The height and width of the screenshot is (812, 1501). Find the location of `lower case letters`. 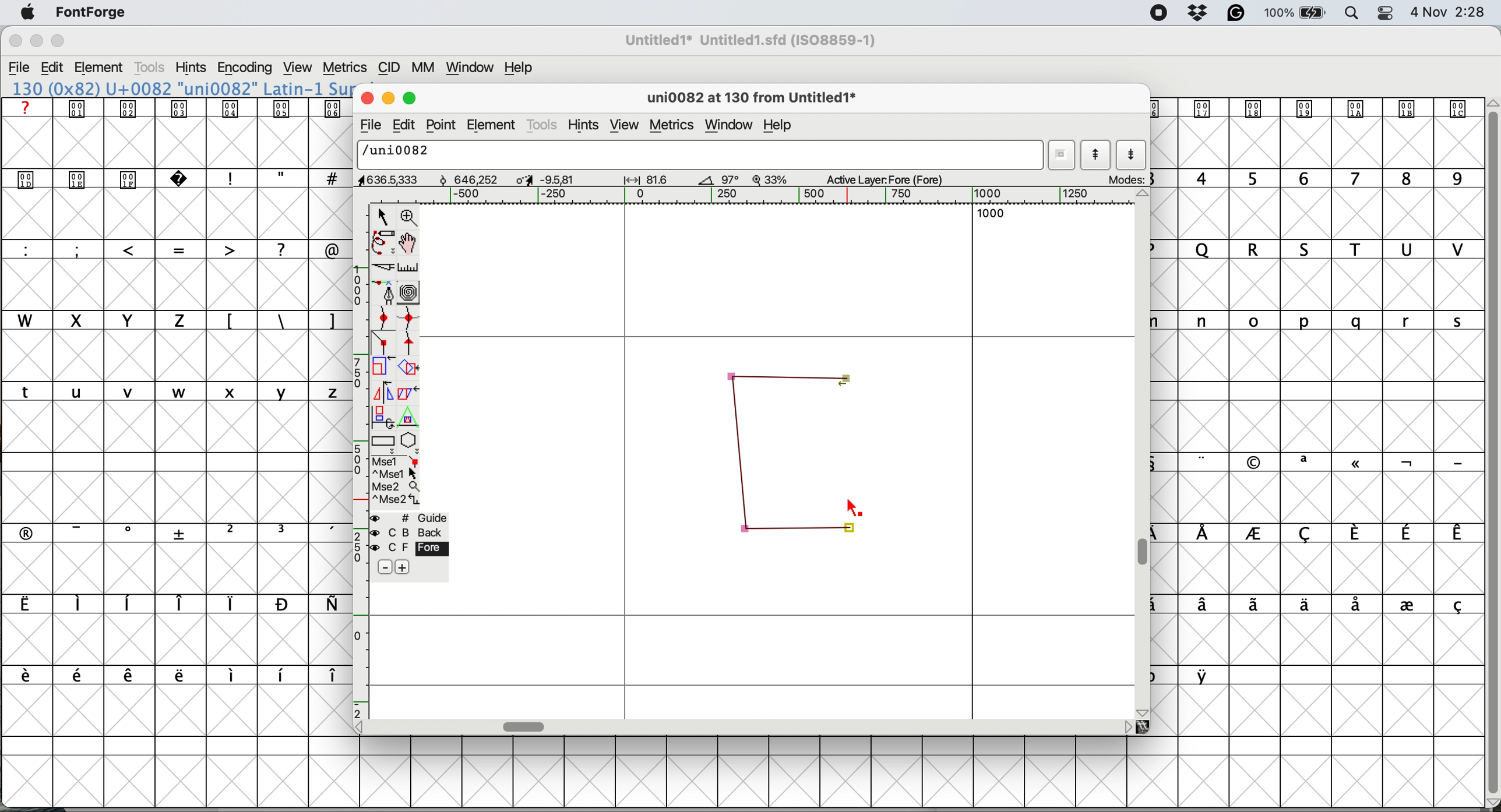

lower case letters is located at coordinates (177, 391).